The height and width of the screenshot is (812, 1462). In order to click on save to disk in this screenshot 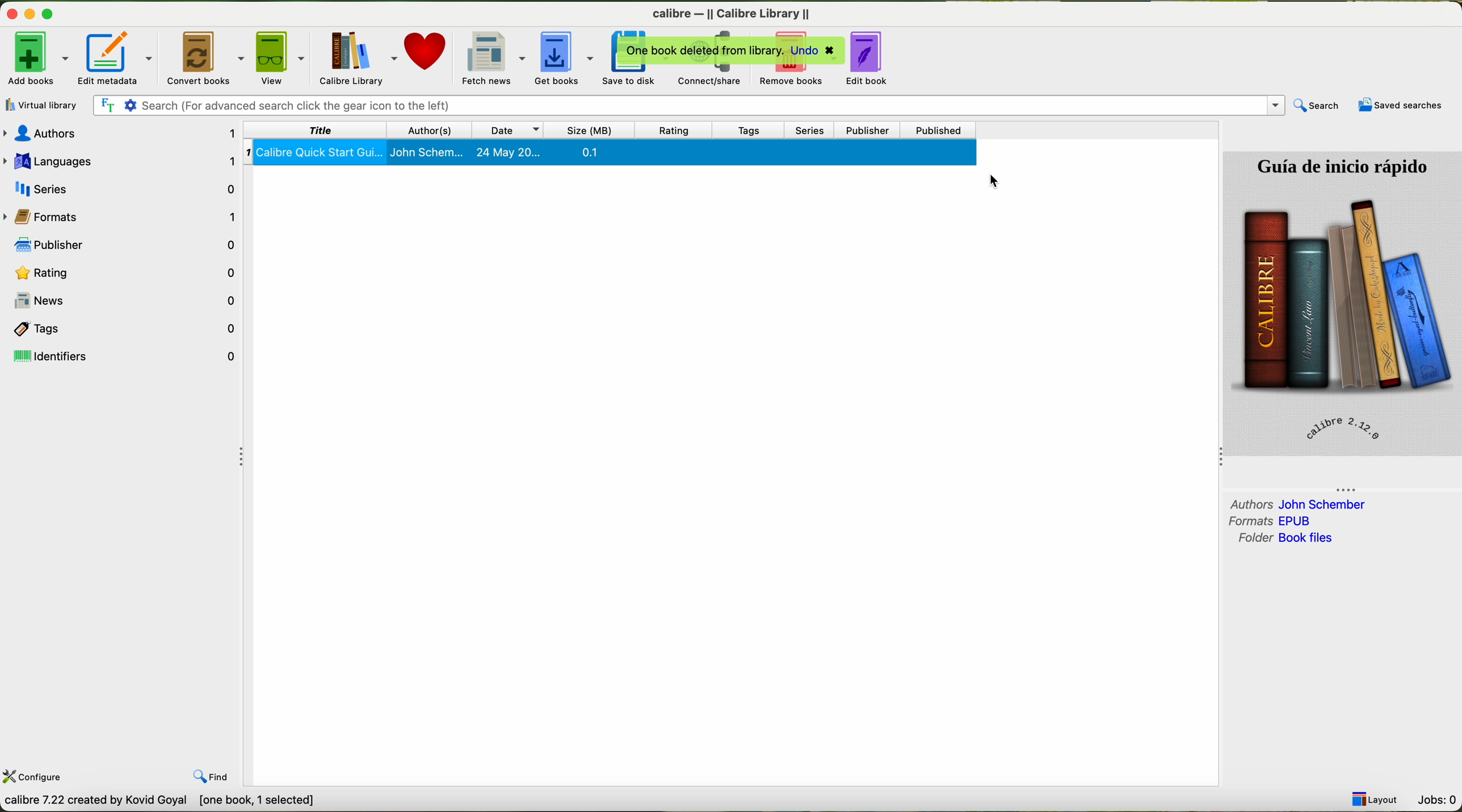, I will do `click(635, 57)`.